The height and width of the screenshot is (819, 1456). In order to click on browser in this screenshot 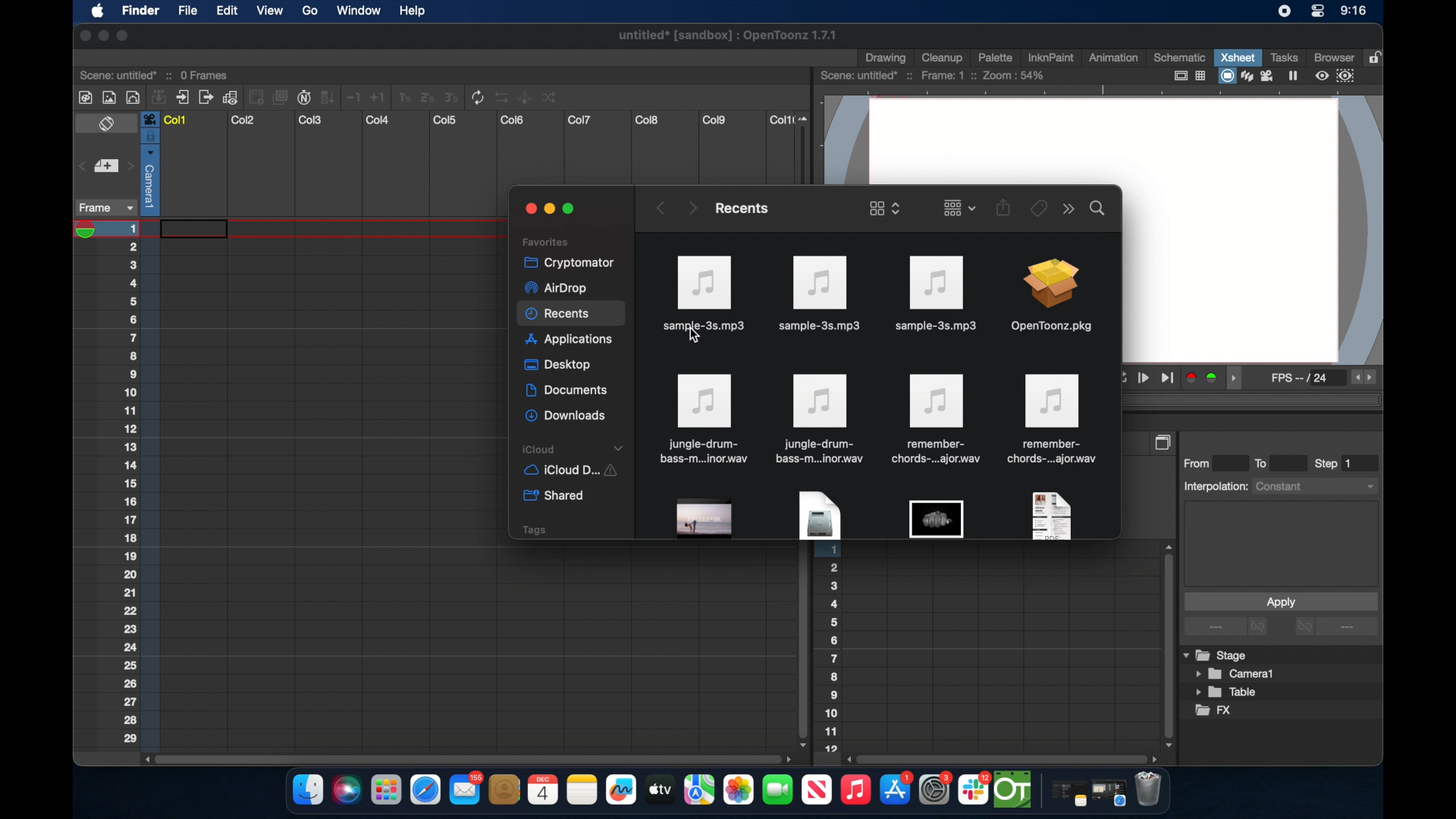, I will do `click(1332, 56)`.